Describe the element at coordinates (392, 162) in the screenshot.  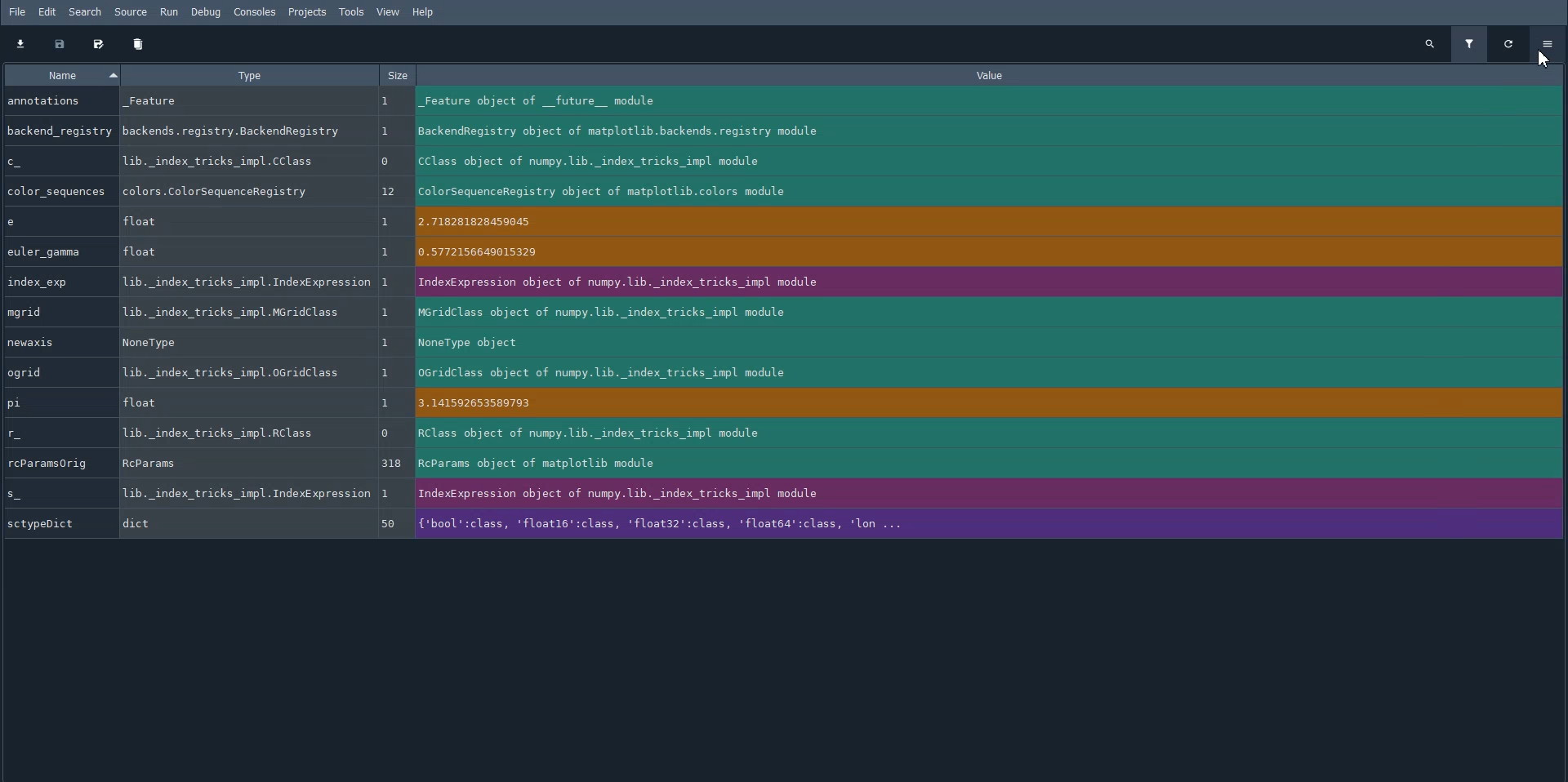
I see `0` at that location.